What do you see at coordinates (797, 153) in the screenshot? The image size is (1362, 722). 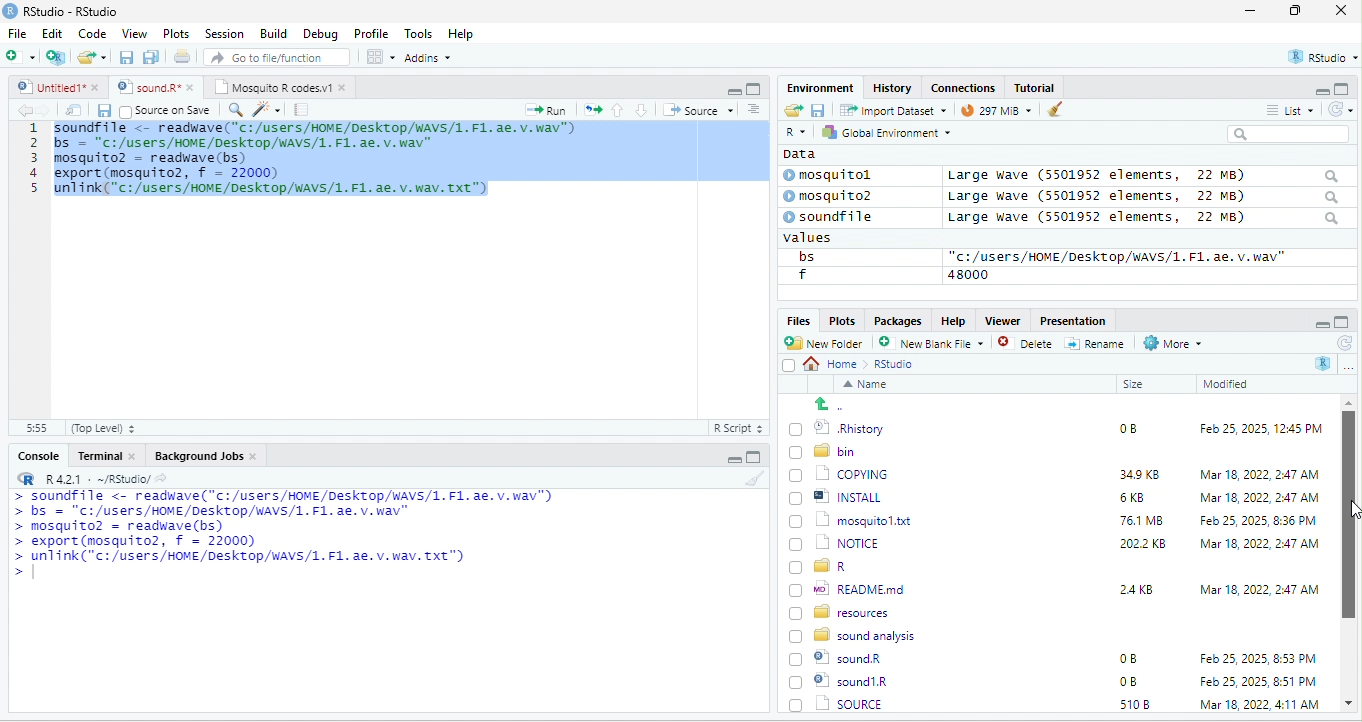 I see `data` at bounding box center [797, 153].